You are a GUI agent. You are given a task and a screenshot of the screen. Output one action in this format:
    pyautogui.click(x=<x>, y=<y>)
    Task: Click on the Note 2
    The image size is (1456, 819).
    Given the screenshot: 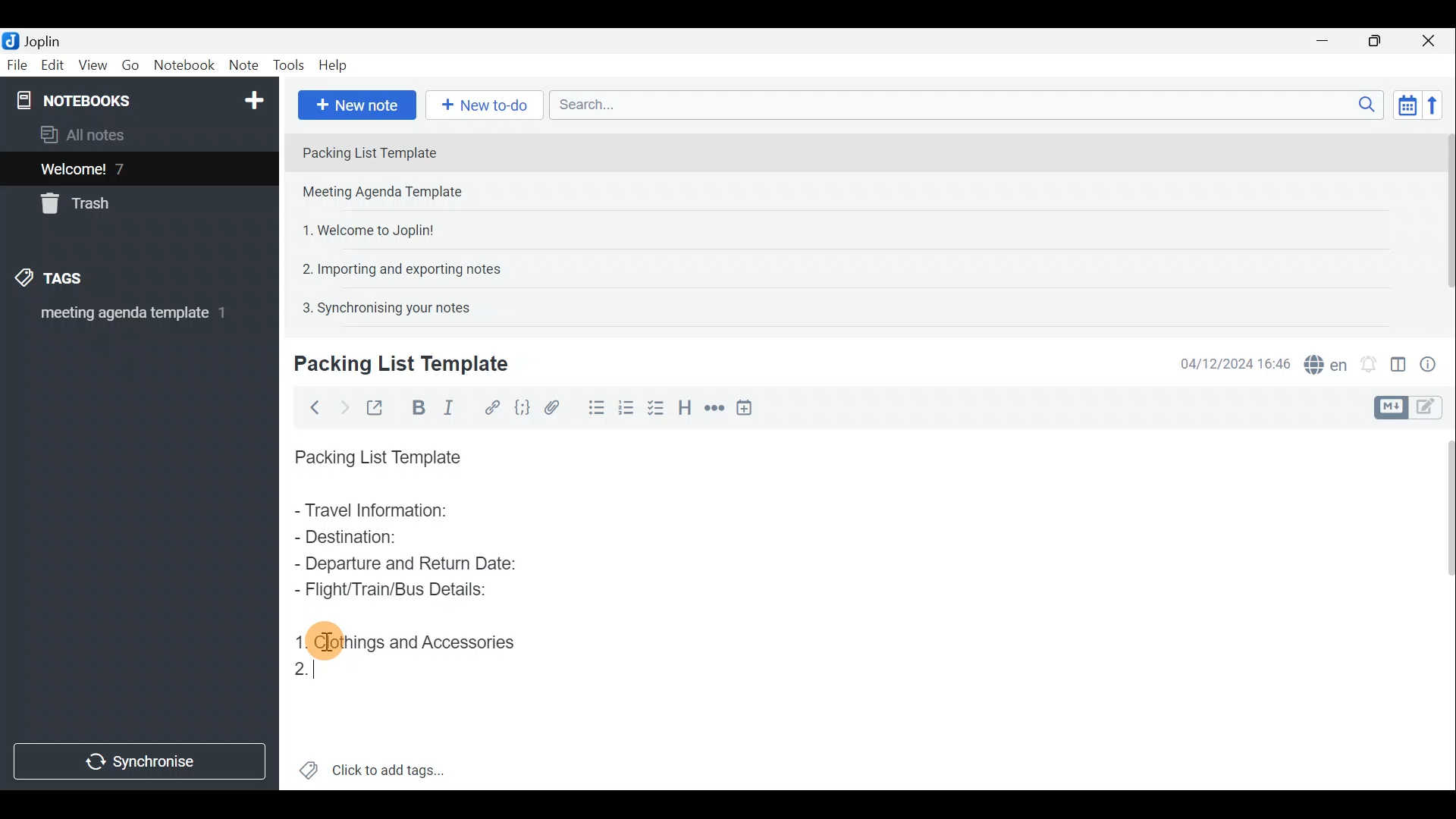 What is the action you would take?
    pyautogui.click(x=397, y=193)
    